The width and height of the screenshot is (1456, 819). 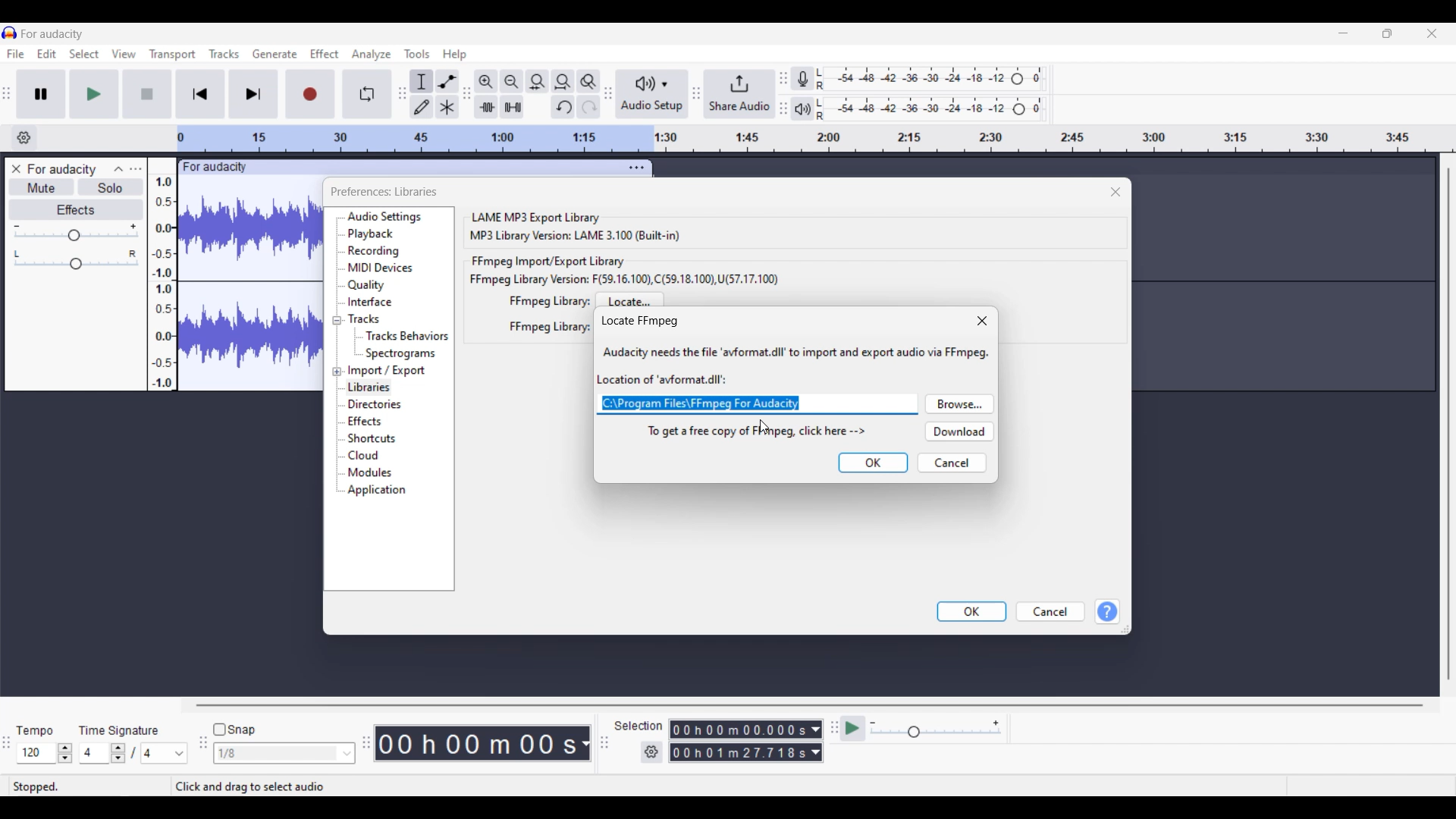 What do you see at coordinates (10, 33) in the screenshot?
I see `Software logo` at bounding box center [10, 33].